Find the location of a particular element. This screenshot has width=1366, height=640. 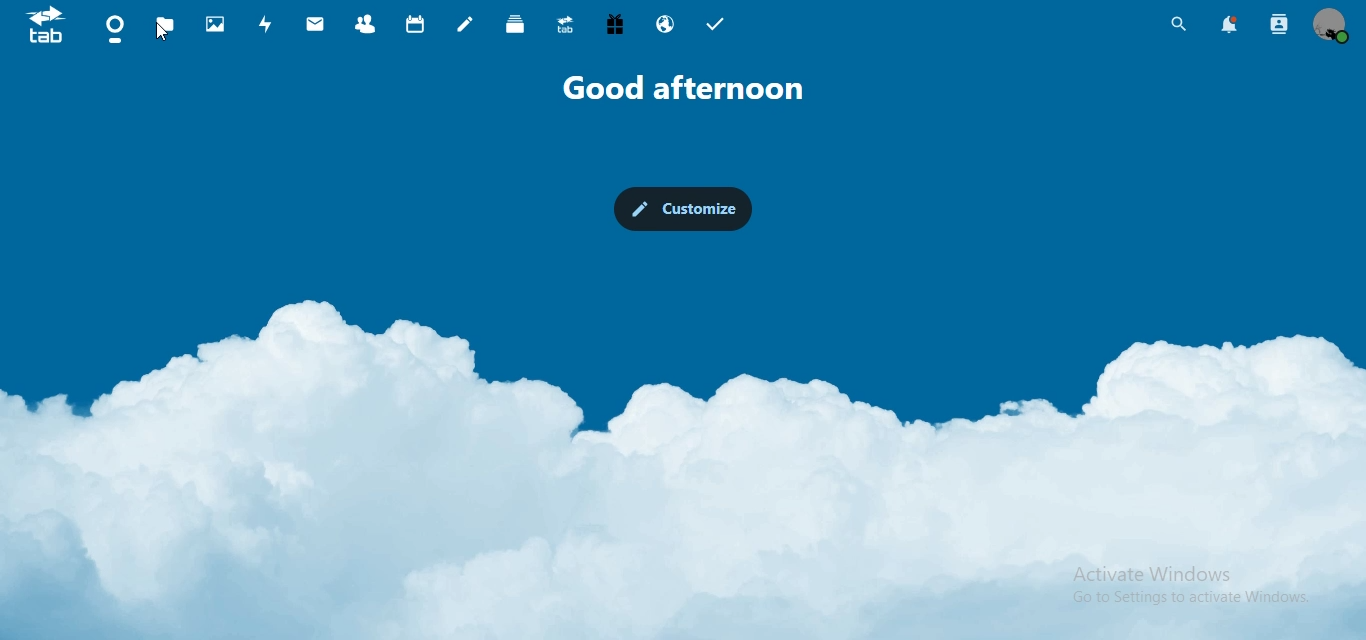

activate windows go to settings to activate windows is located at coordinates (1183, 586).